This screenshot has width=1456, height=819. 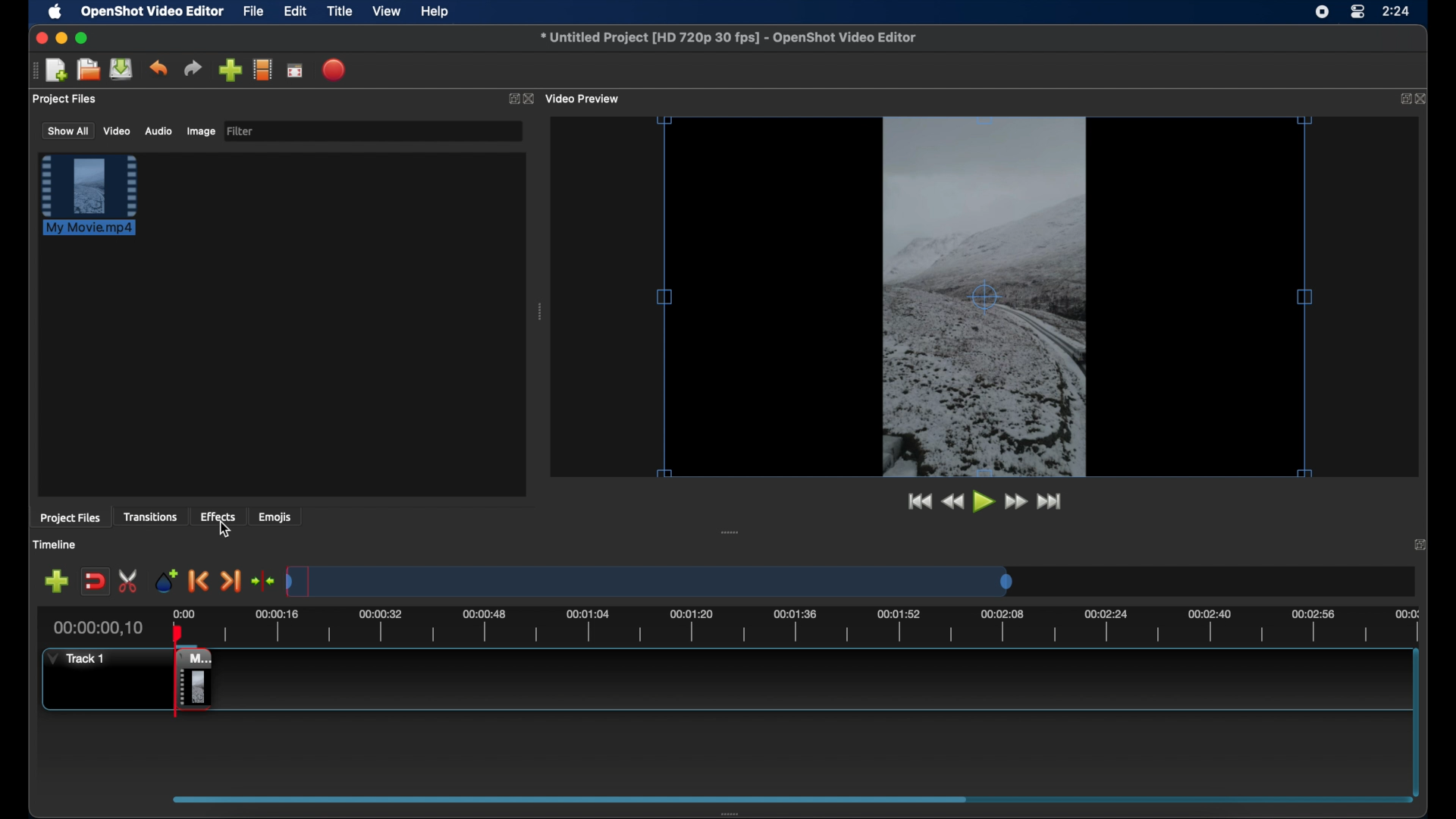 I want to click on close, so click(x=38, y=38).